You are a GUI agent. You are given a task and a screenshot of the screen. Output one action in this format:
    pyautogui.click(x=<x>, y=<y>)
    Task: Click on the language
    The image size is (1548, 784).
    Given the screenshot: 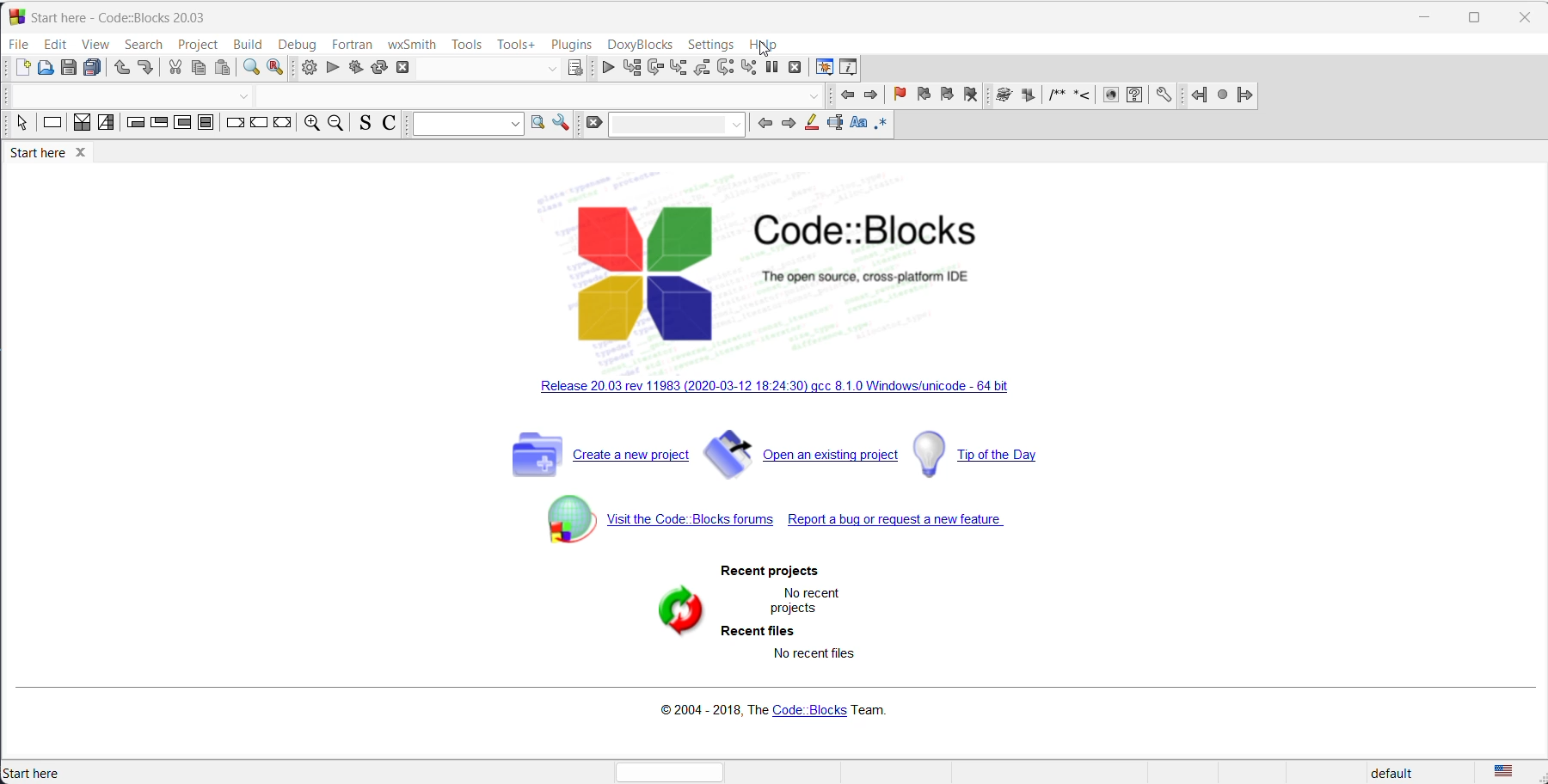 What is the action you would take?
    pyautogui.click(x=1514, y=772)
    